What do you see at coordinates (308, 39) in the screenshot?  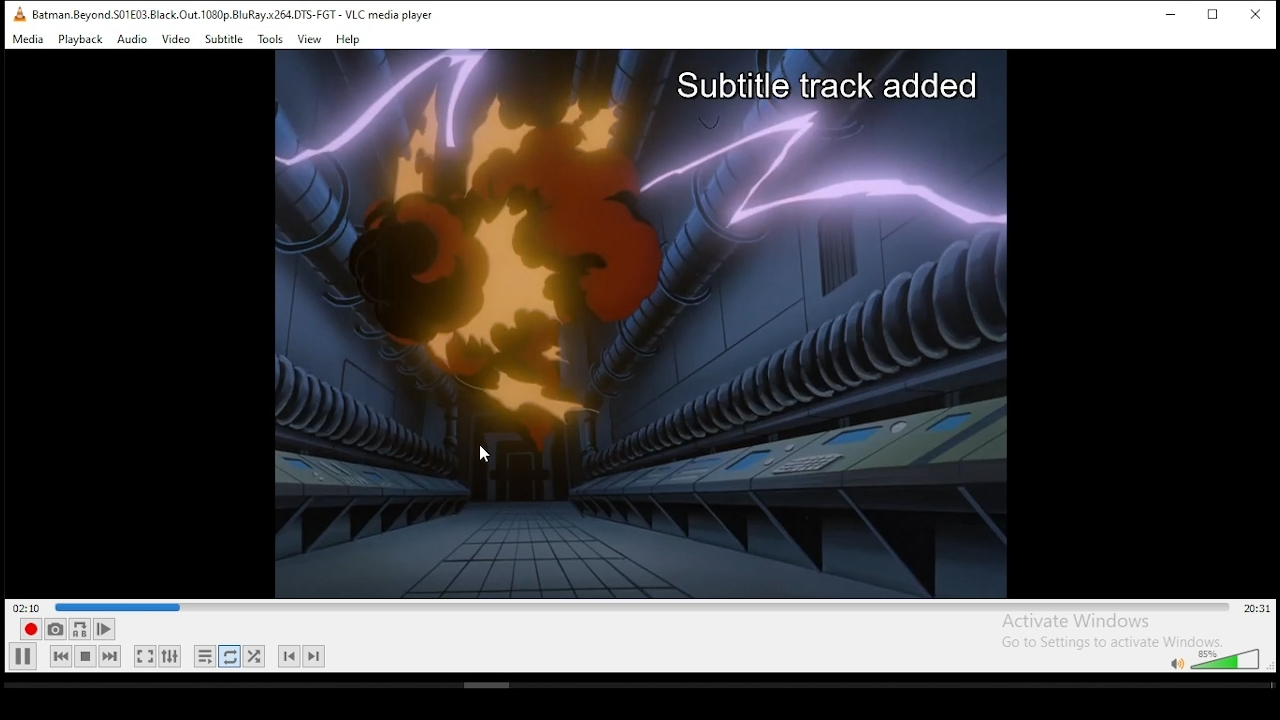 I see `view` at bounding box center [308, 39].